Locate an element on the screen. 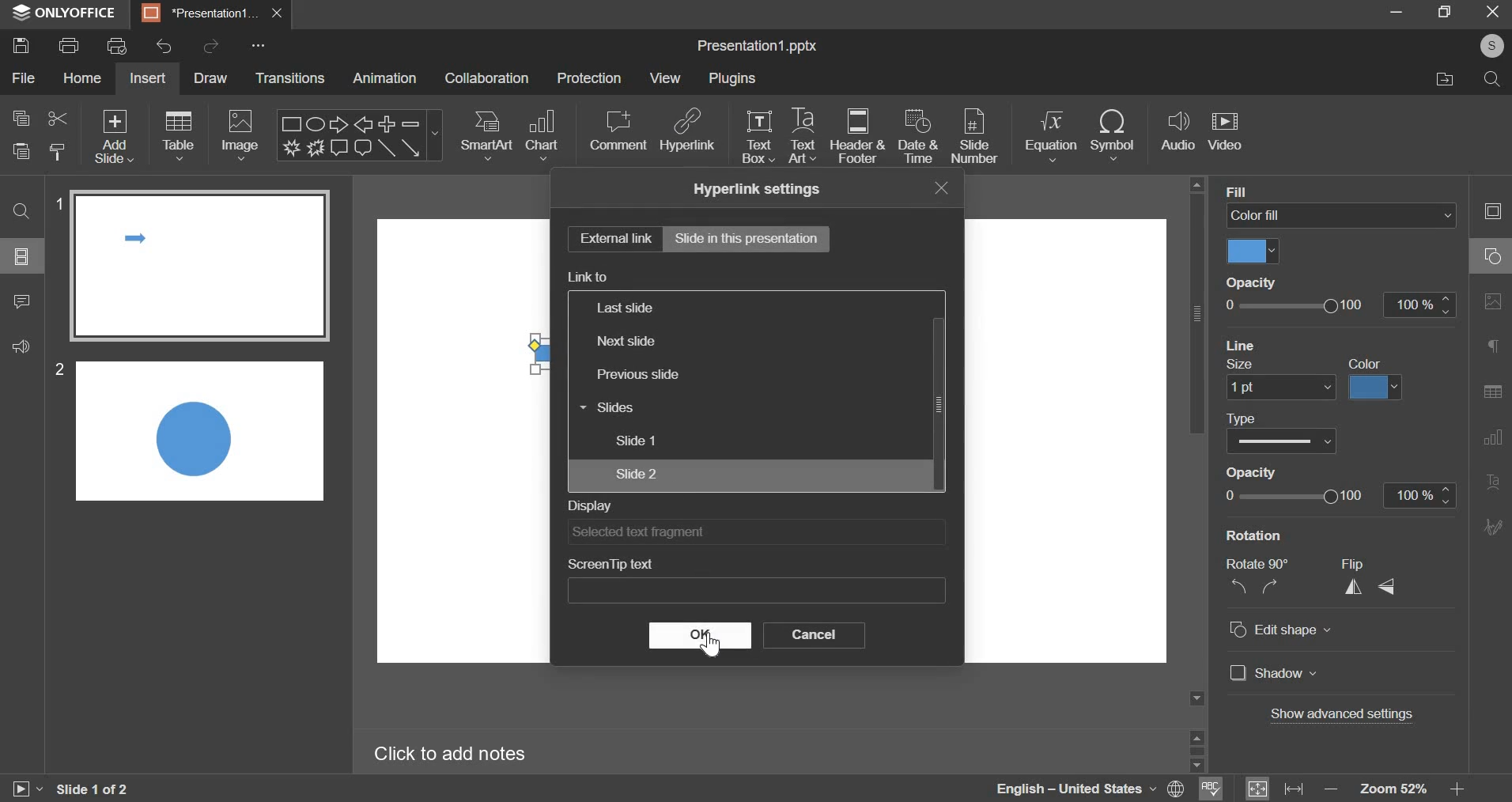  view is located at coordinates (665, 79).